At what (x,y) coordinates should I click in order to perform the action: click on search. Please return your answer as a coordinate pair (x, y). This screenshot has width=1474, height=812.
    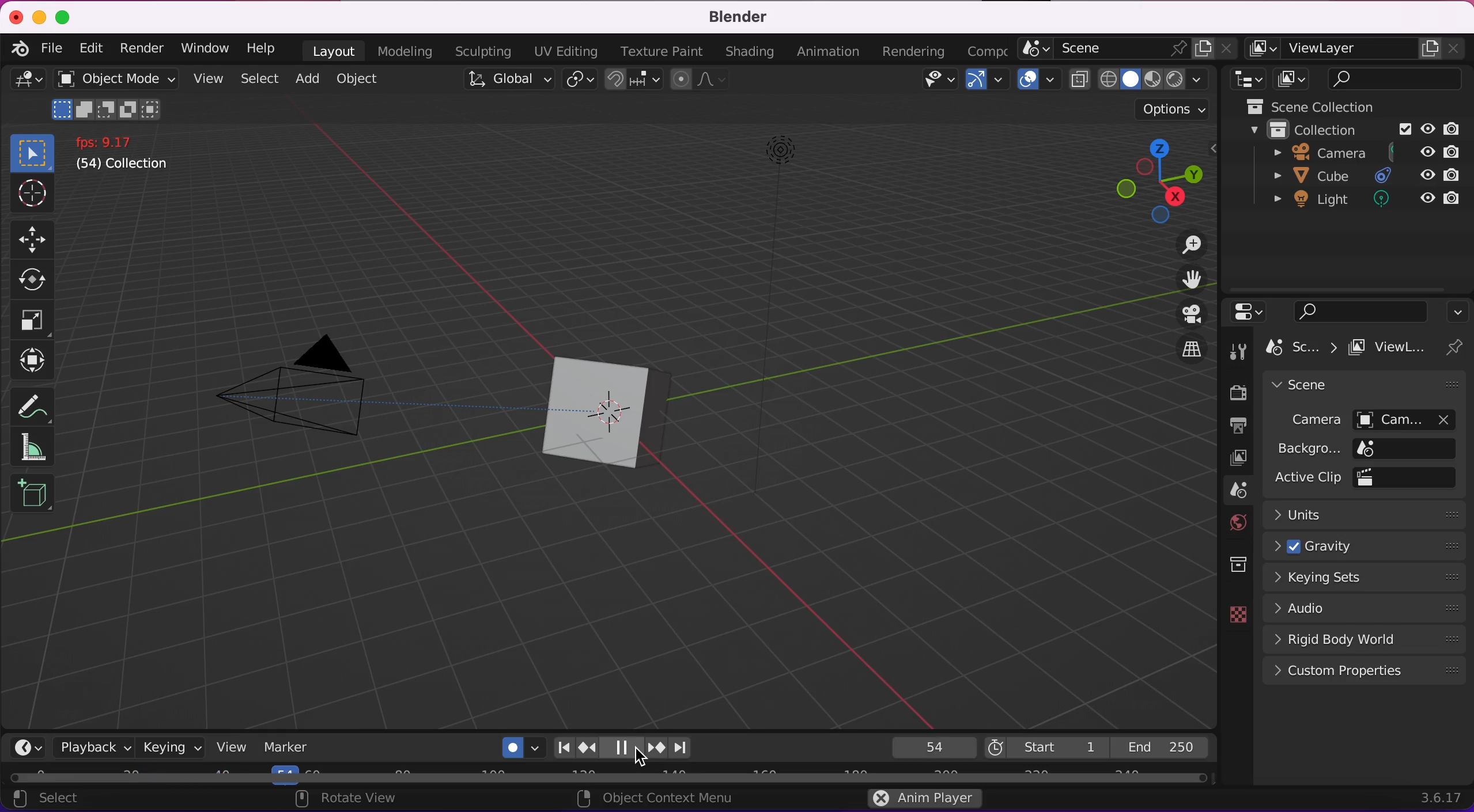
    Looking at the image, I should click on (1397, 79).